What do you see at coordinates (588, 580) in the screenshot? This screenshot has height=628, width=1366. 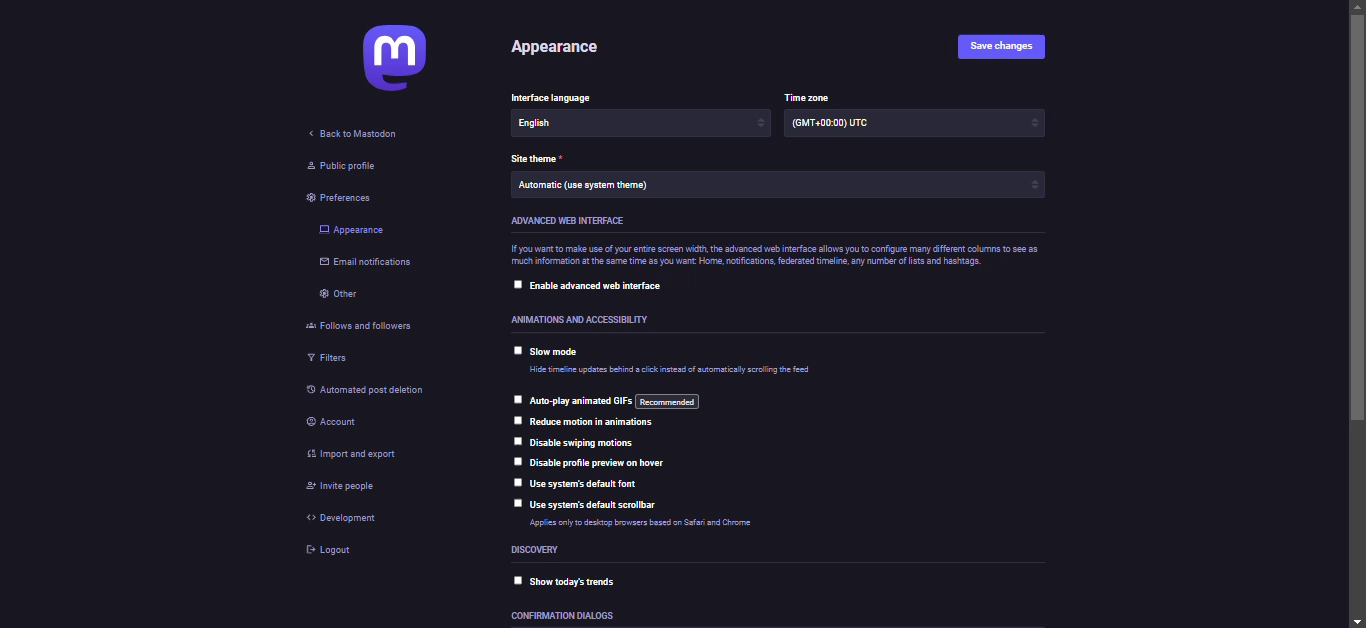 I see `show today's trends` at bounding box center [588, 580].